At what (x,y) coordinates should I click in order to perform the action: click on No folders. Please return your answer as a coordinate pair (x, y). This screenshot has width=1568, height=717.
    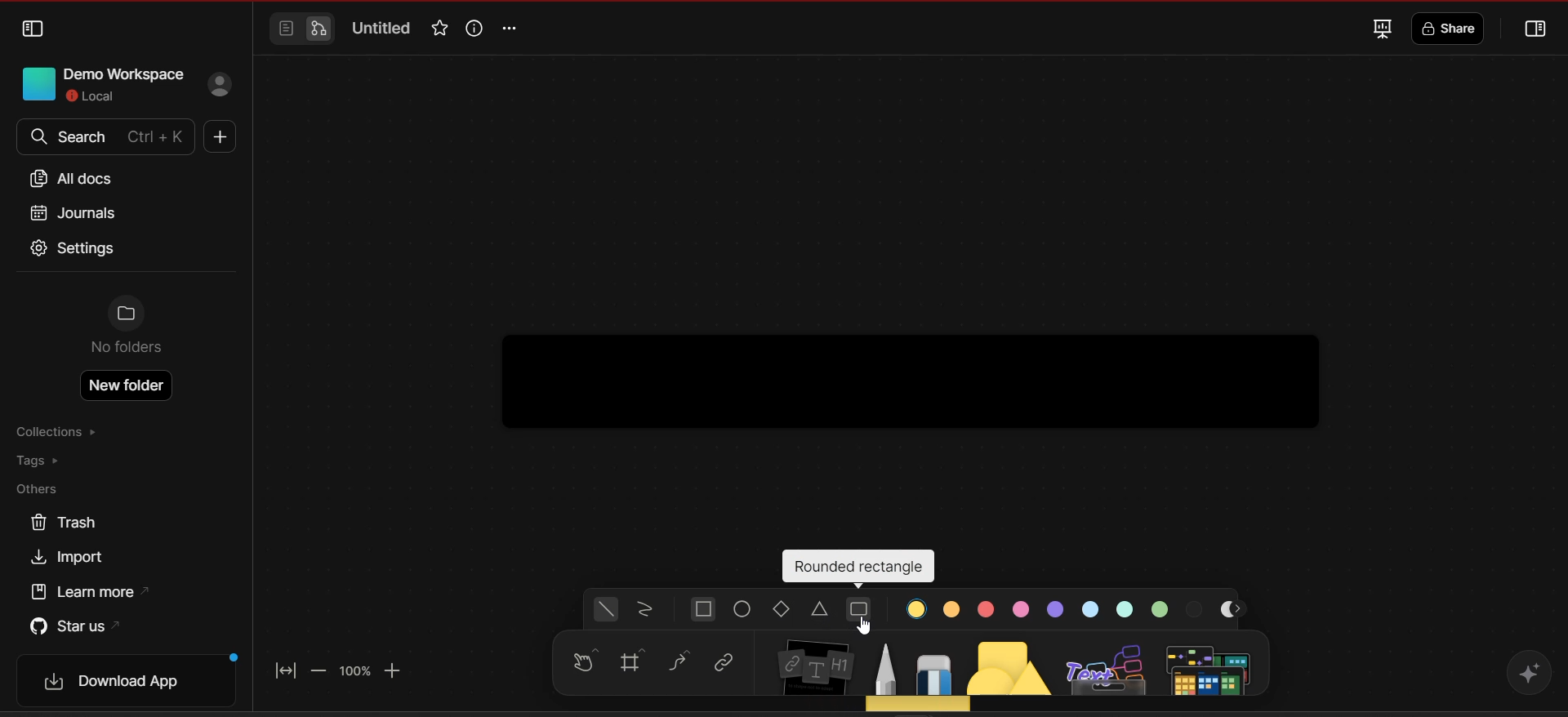
    Looking at the image, I should click on (127, 329).